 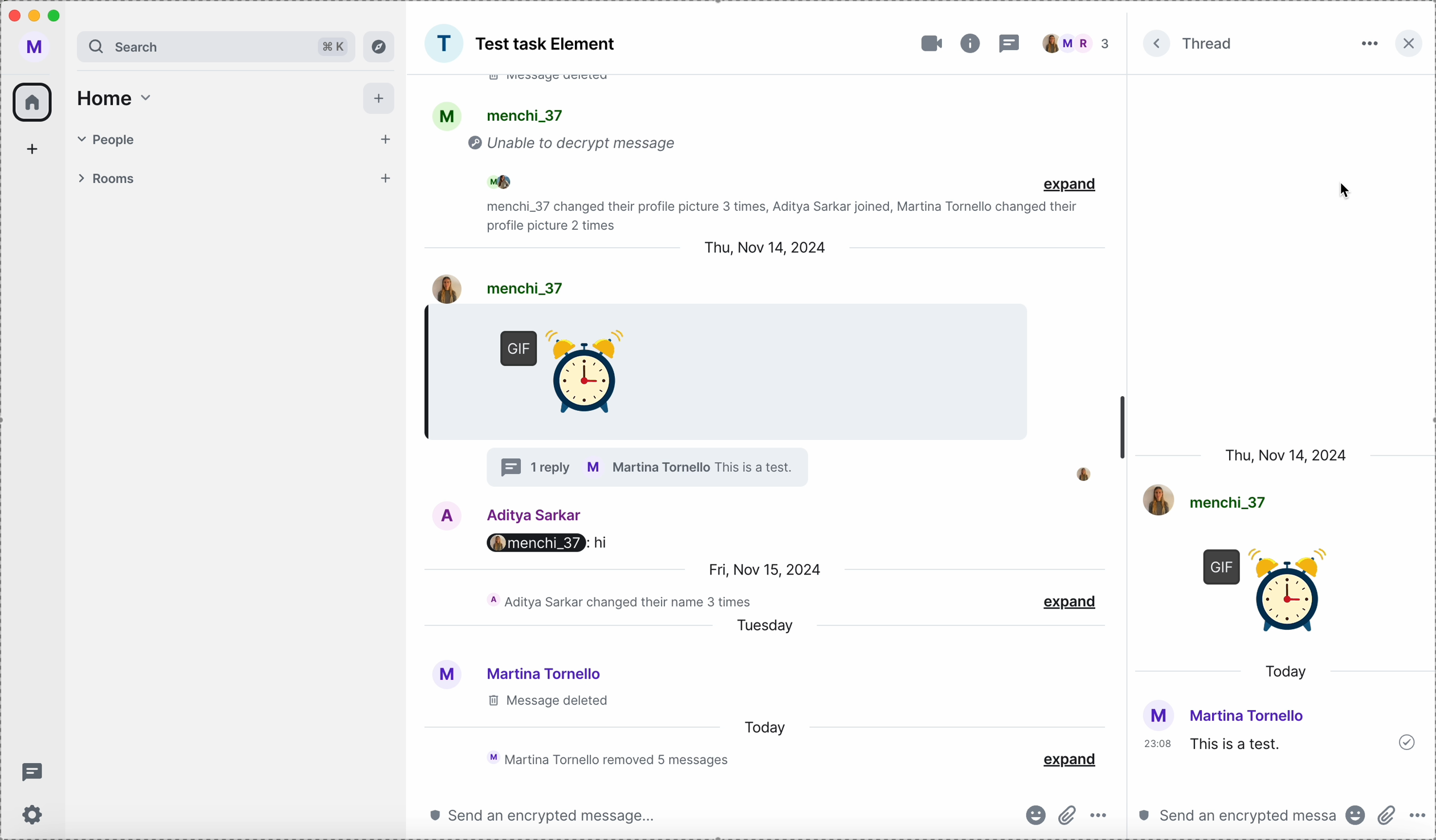 I want to click on rooms, so click(x=236, y=180).